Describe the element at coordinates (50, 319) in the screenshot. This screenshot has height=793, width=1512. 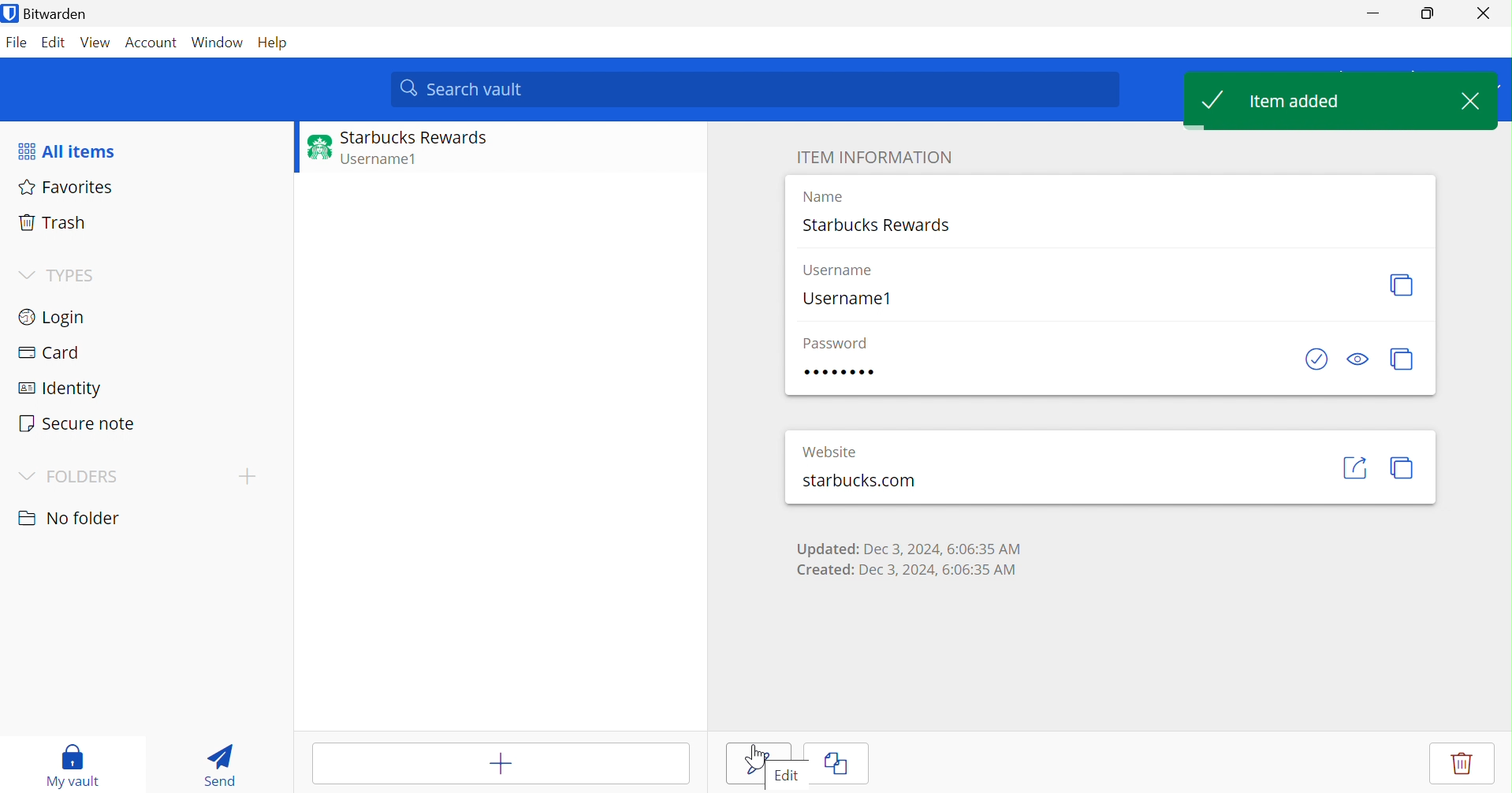
I see `Login` at that location.